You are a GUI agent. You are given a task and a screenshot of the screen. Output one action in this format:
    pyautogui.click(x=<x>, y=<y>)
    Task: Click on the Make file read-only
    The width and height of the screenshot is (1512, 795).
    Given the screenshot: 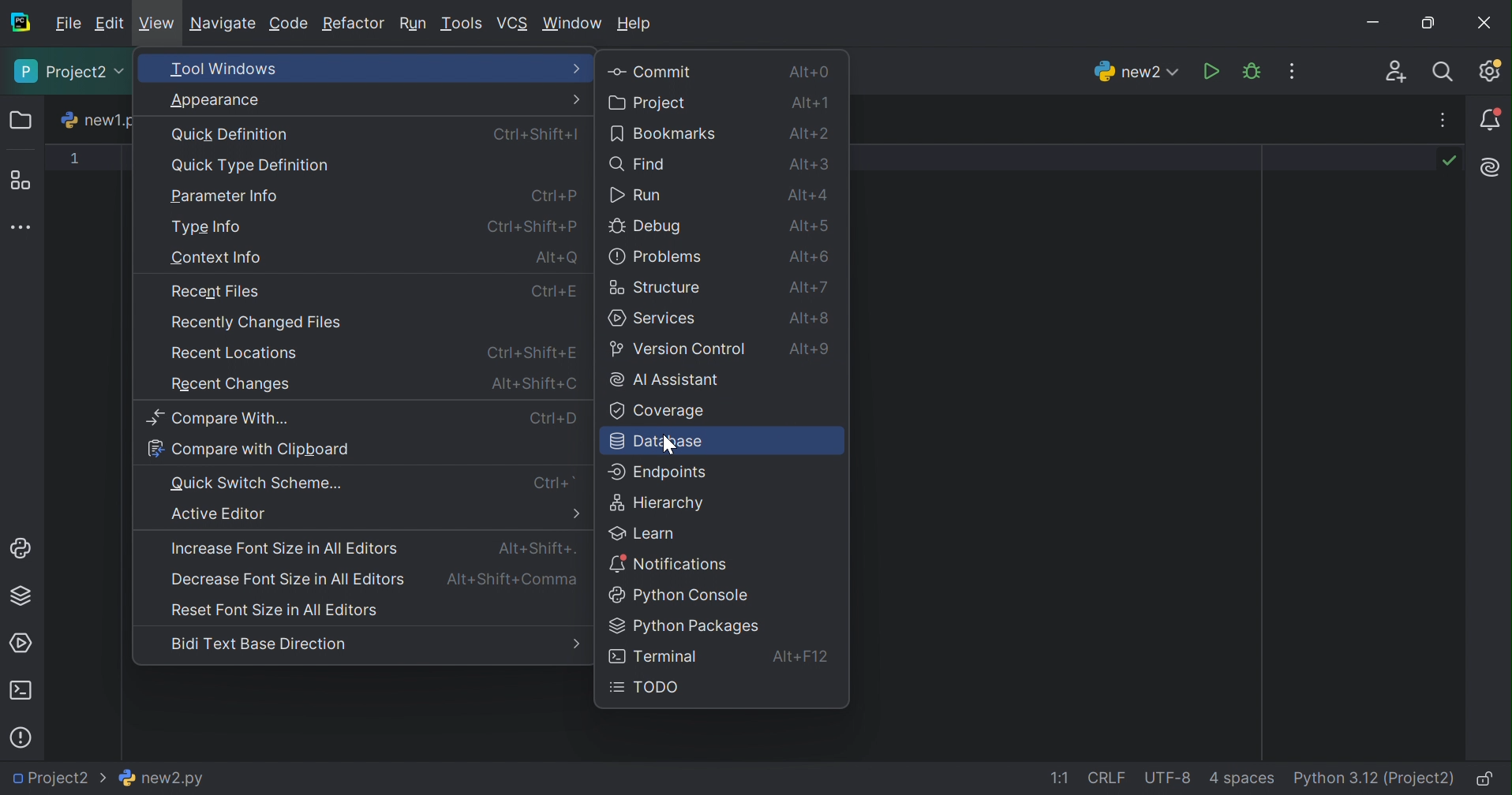 What is the action you would take?
    pyautogui.click(x=1484, y=778)
    